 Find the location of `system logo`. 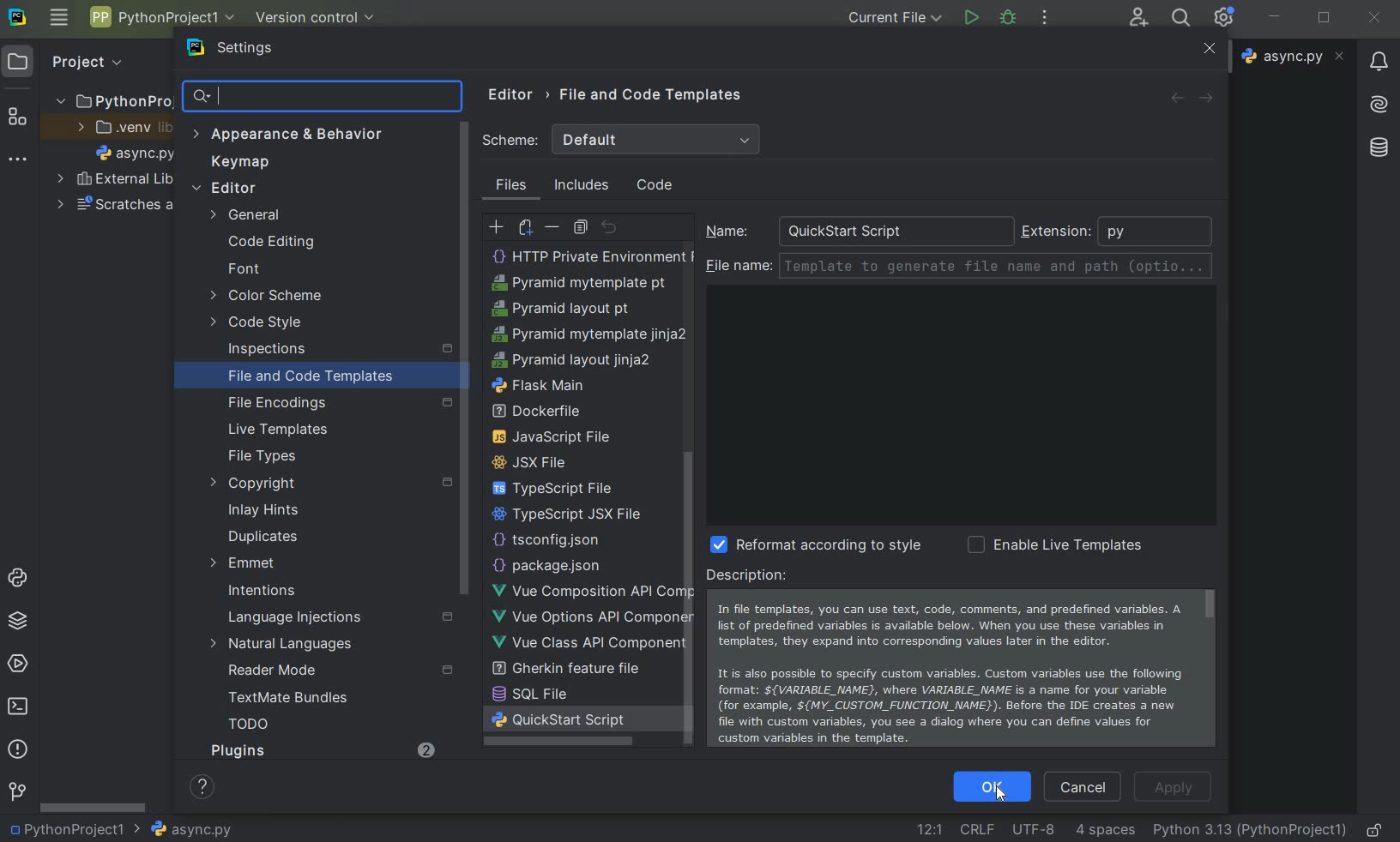

system logo is located at coordinates (17, 19).